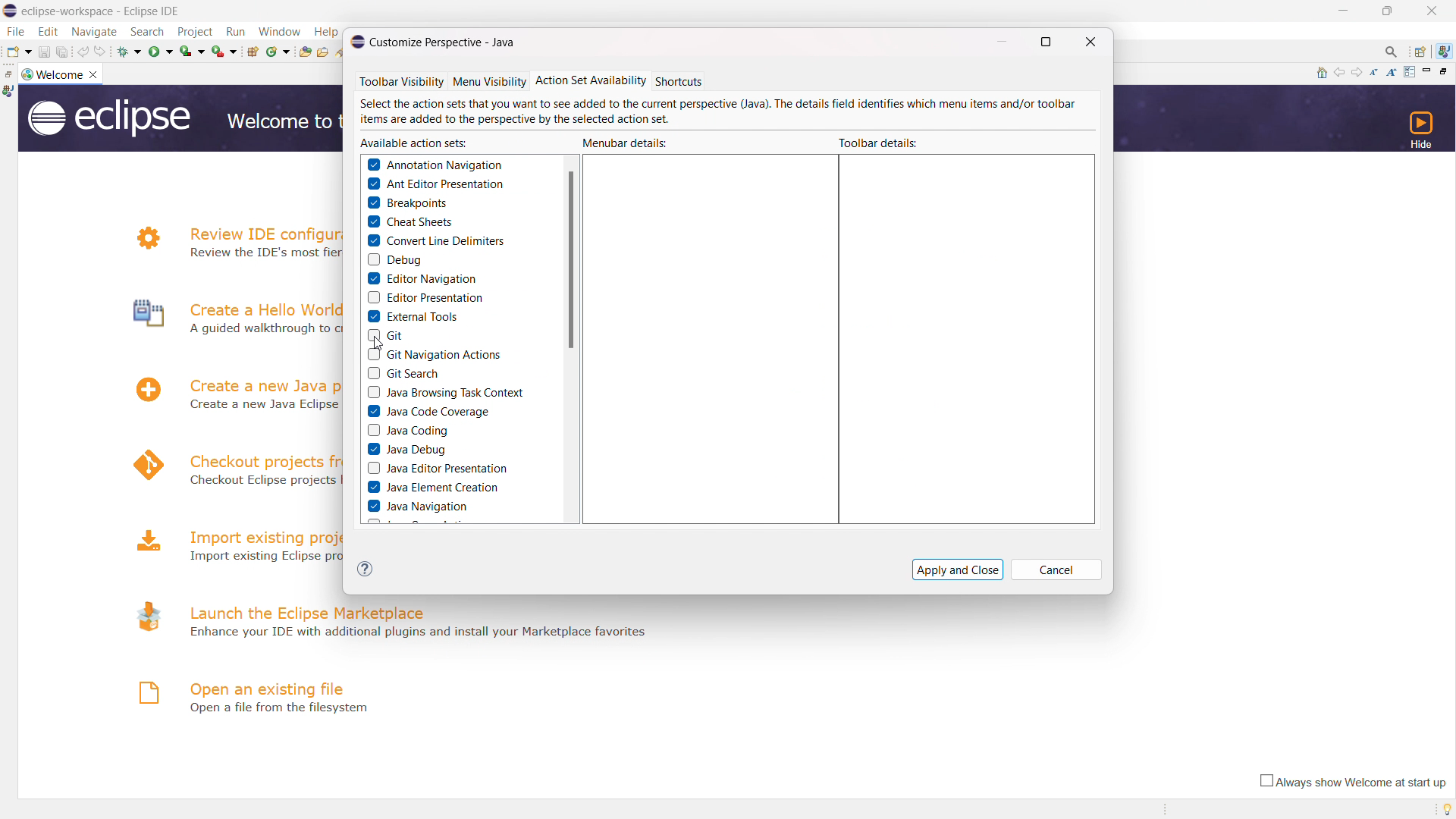  I want to click on git navigation actions, so click(434, 353).